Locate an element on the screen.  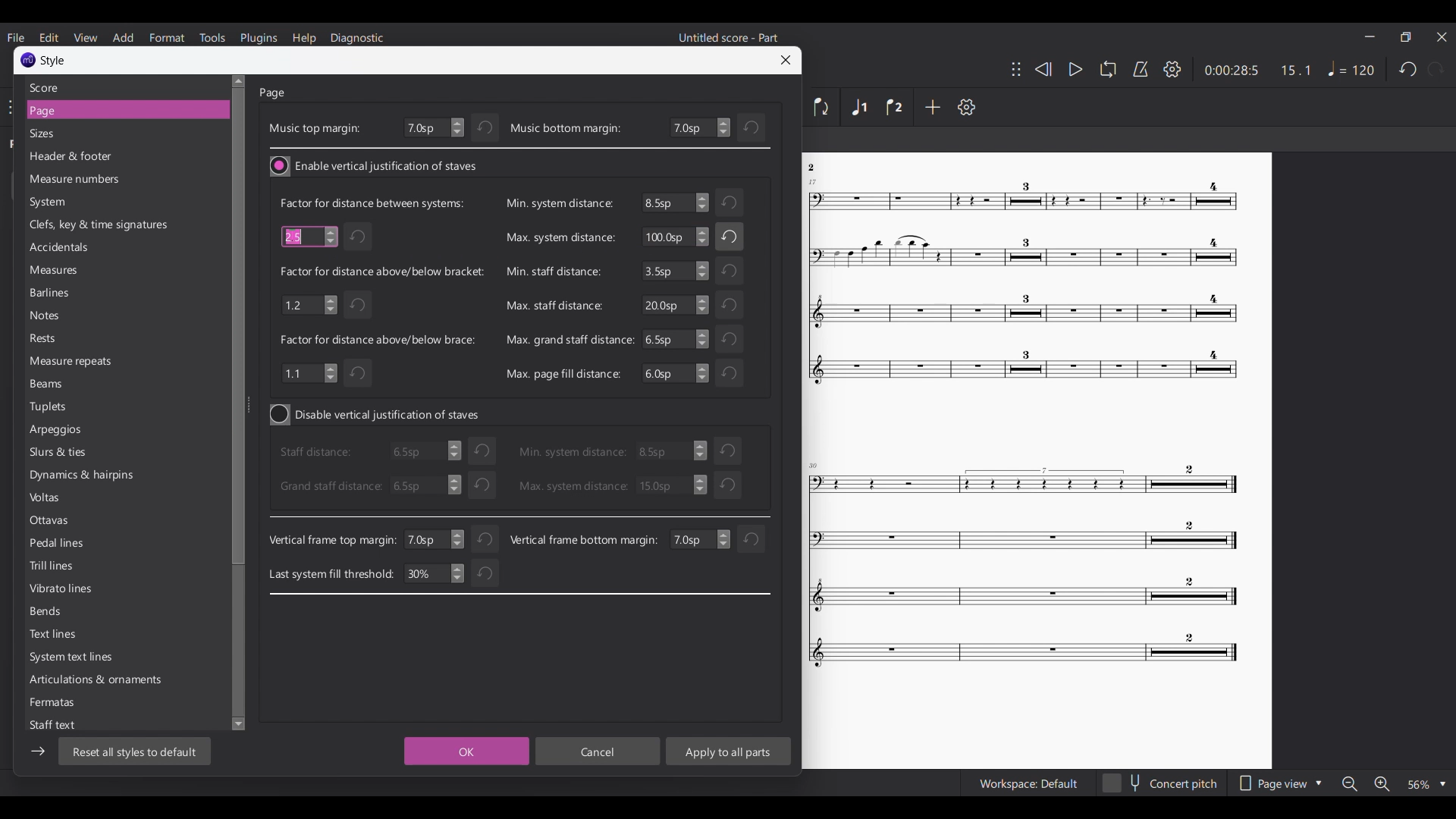
6.5sp is located at coordinates (673, 374).